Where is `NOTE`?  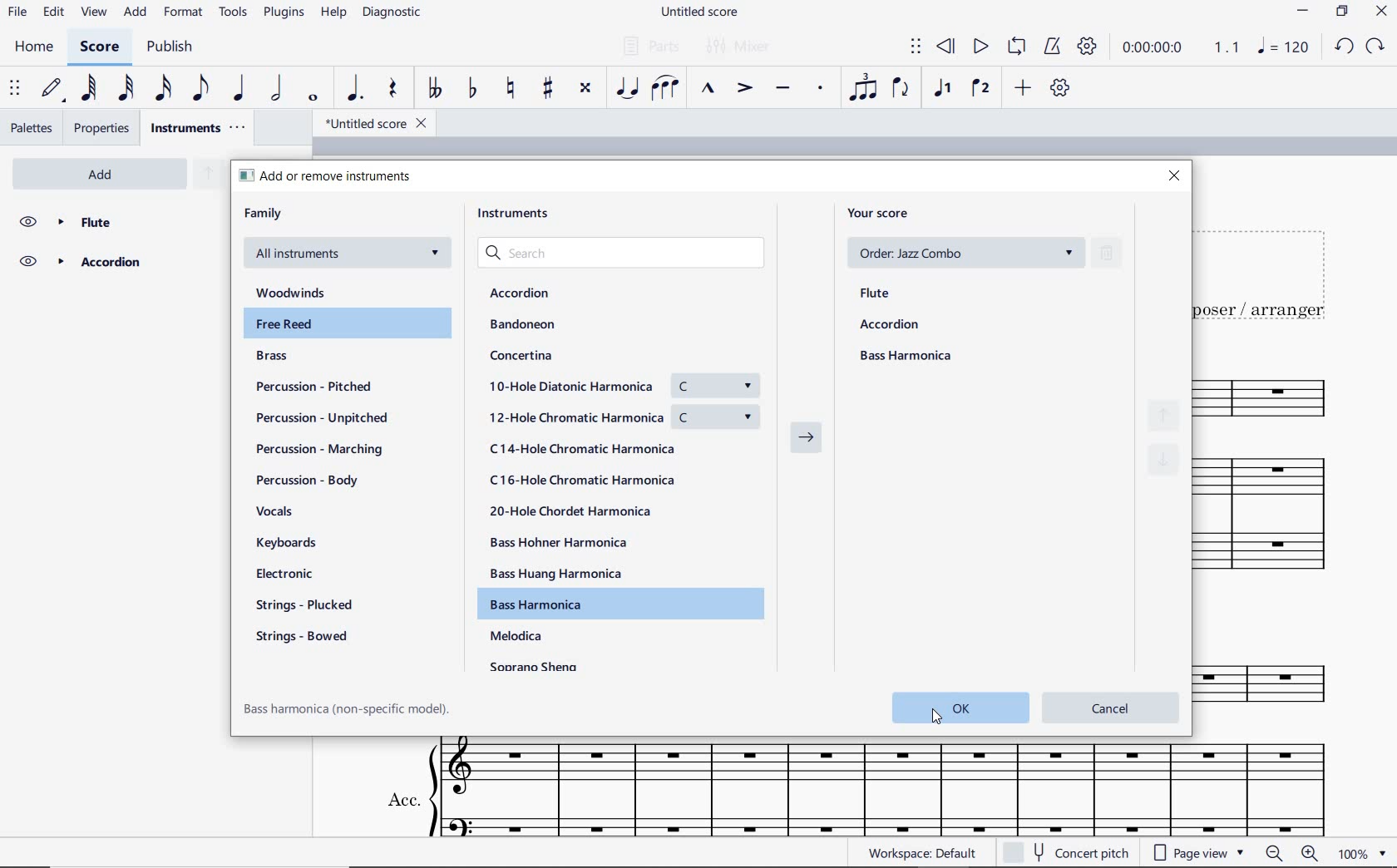
NOTE is located at coordinates (1284, 49).